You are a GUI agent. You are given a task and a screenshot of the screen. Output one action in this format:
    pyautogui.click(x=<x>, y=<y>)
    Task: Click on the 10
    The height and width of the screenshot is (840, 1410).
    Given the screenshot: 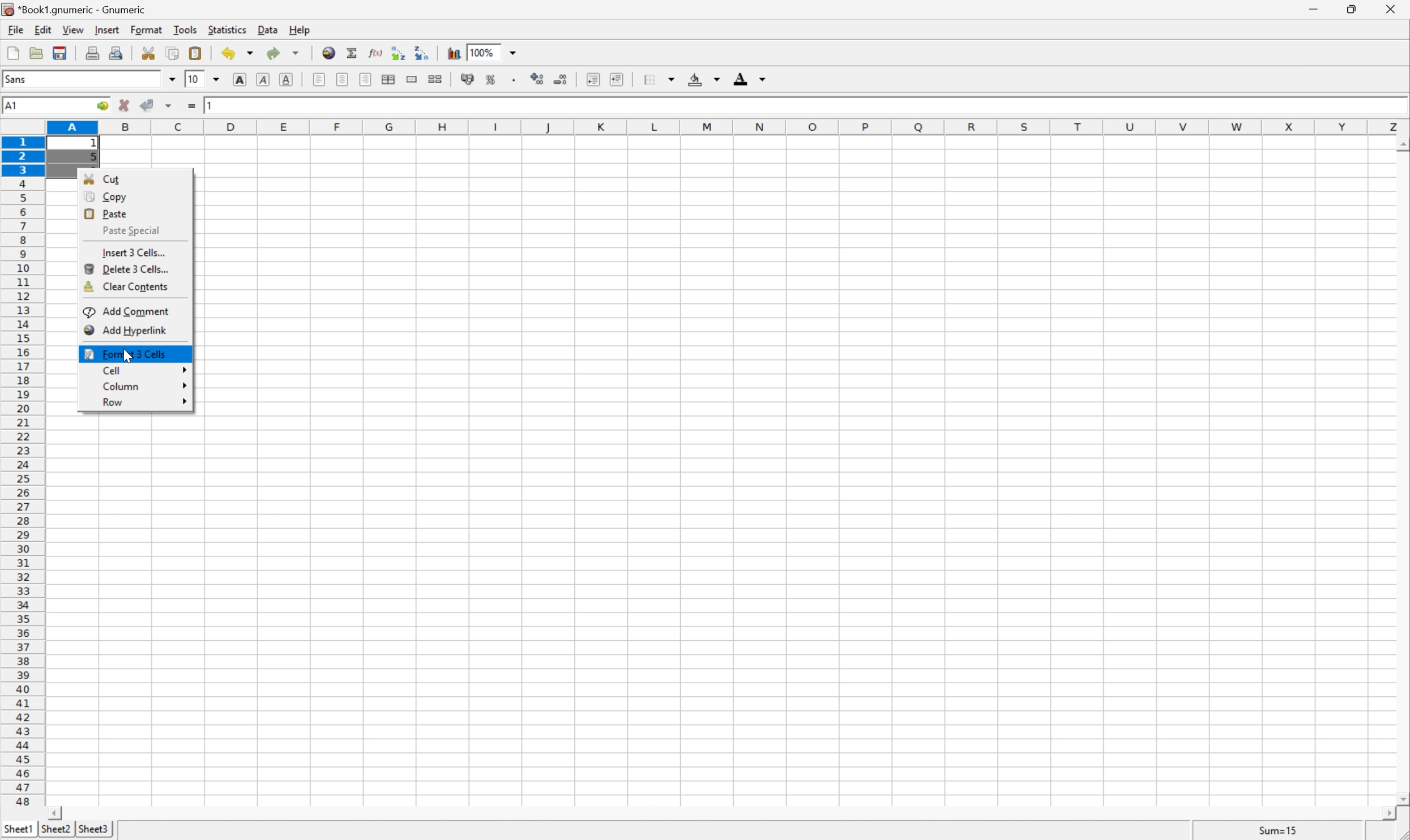 What is the action you would take?
    pyautogui.click(x=193, y=78)
    